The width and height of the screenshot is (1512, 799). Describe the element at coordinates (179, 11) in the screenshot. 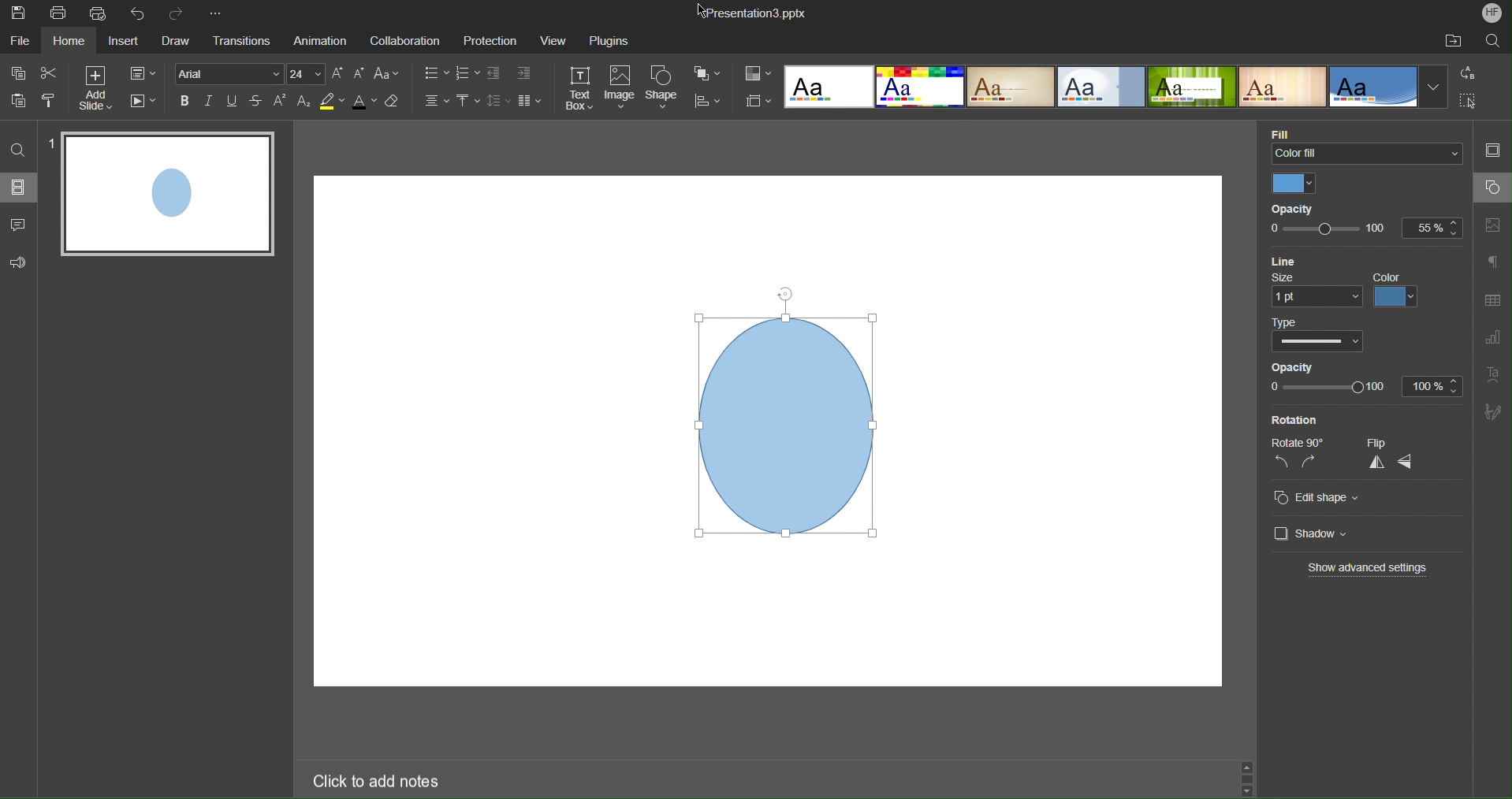

I see `Redo` at that location.